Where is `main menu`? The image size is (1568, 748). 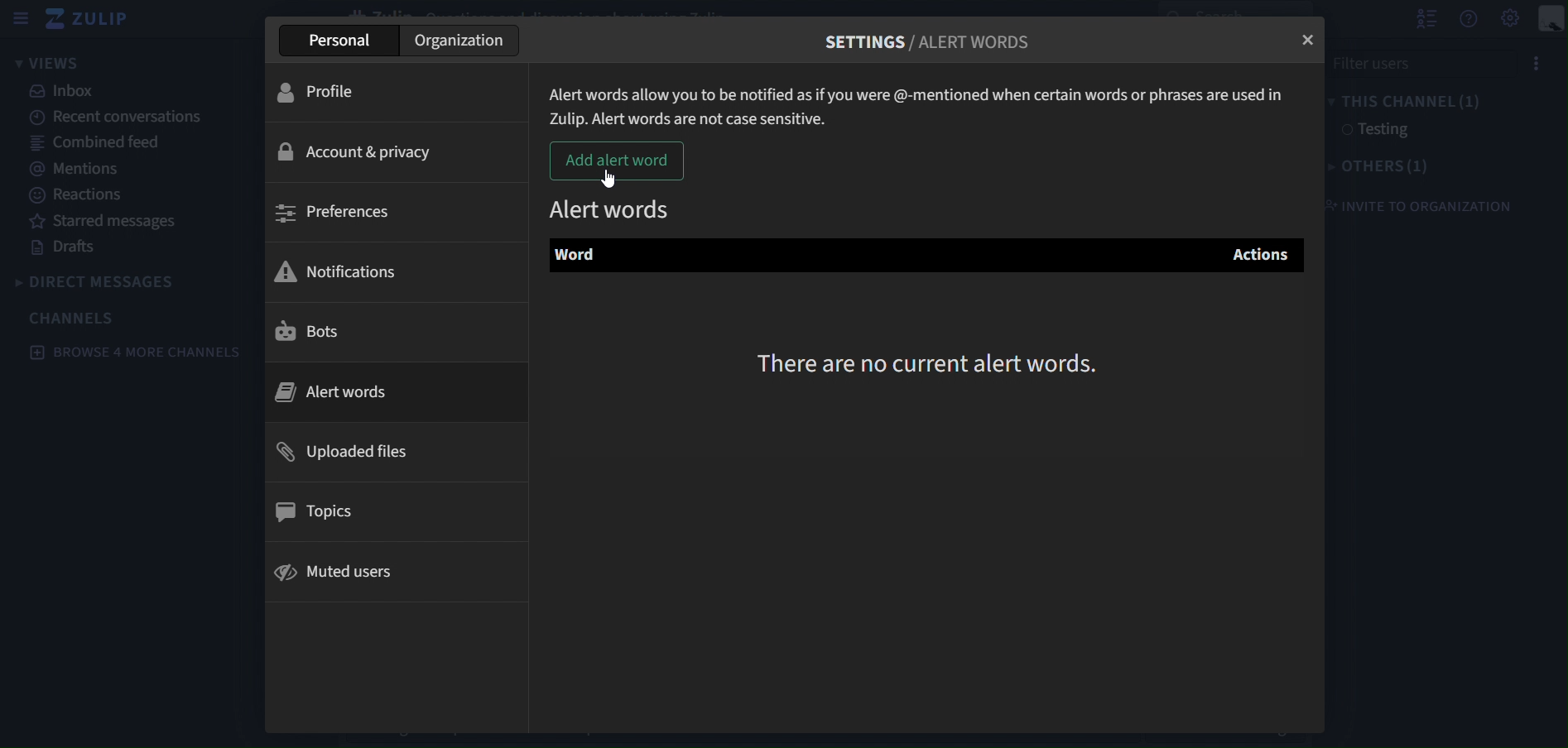
main menu is located at coordinates (1511, 19).